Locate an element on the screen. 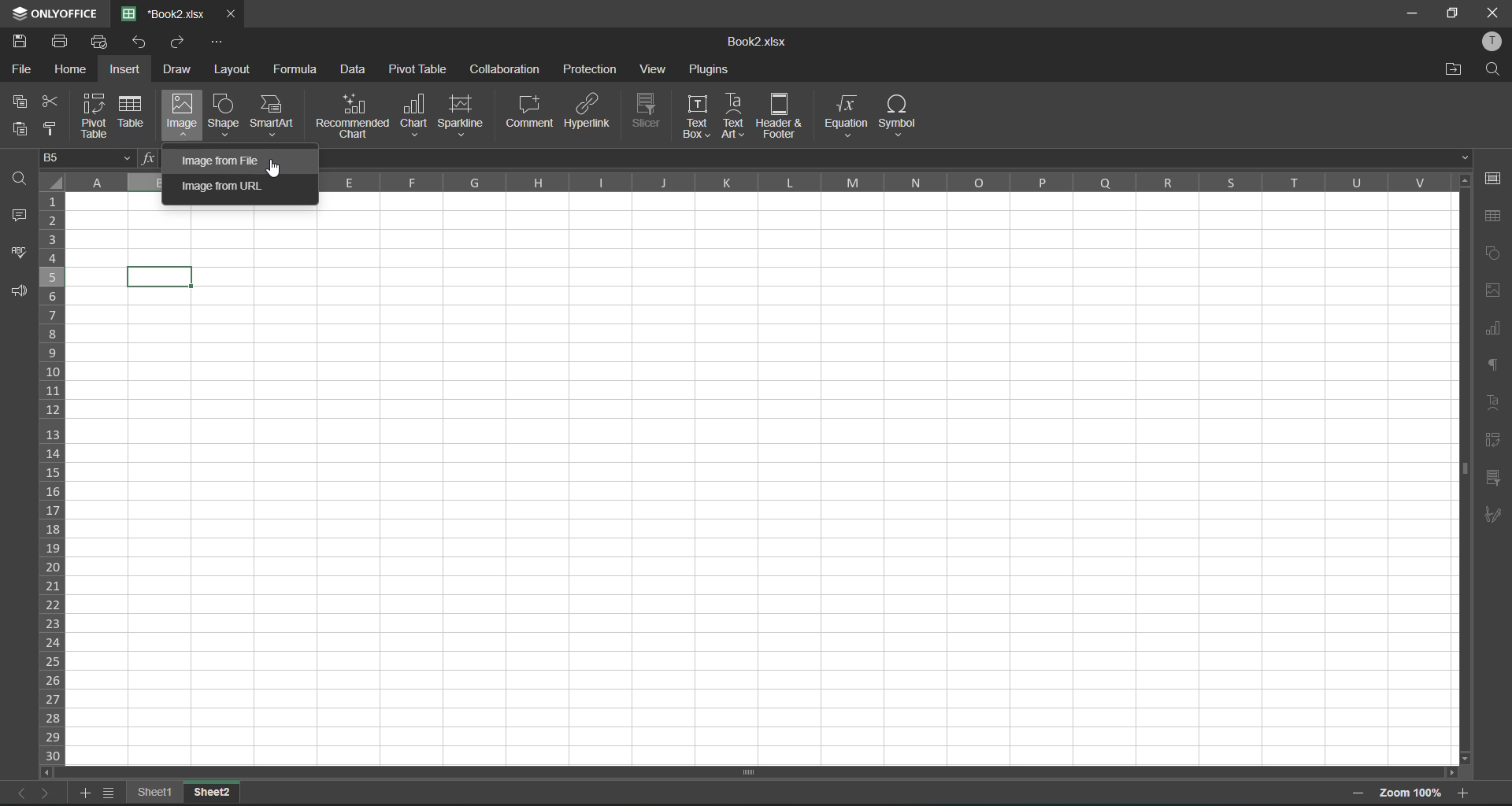  scroll bar is located at coordinates (734, 774).